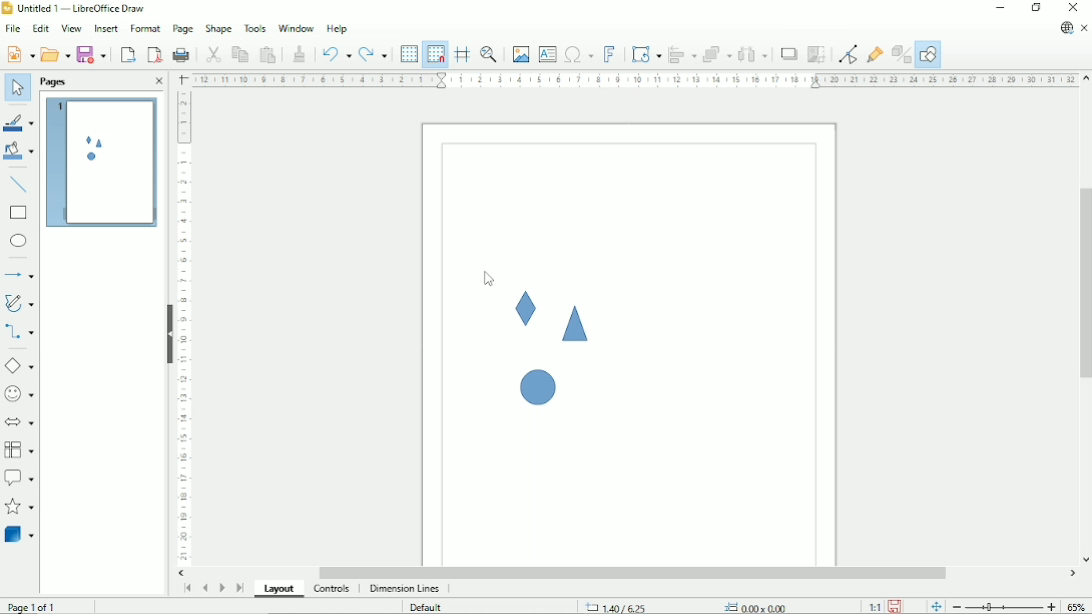  I want to click on Hide, so click(169, 334).